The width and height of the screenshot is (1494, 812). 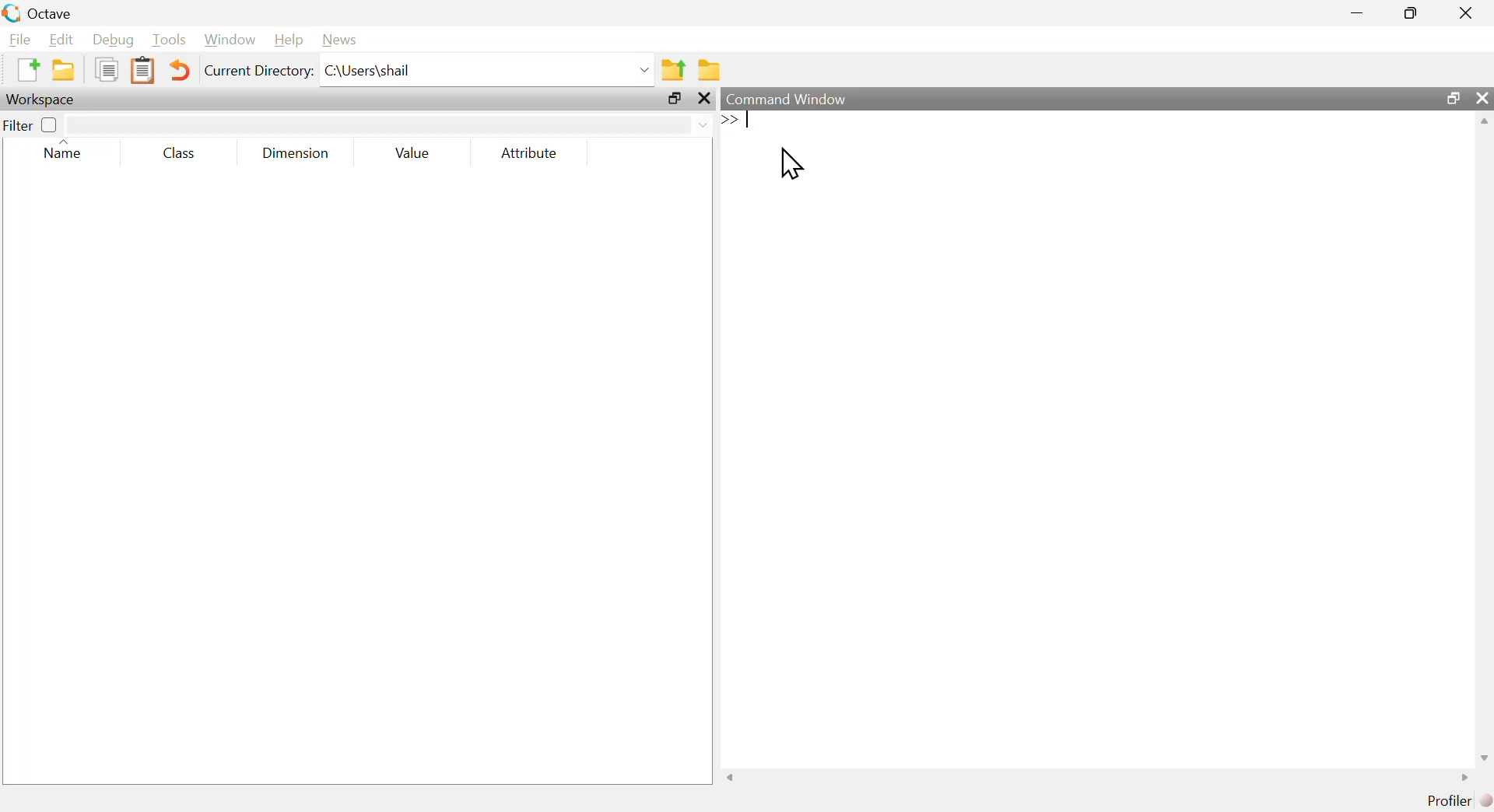 What do you see at coordinates (676, 69) in the screenshot?
I see `parent directory` at bounding box center [676, 69].